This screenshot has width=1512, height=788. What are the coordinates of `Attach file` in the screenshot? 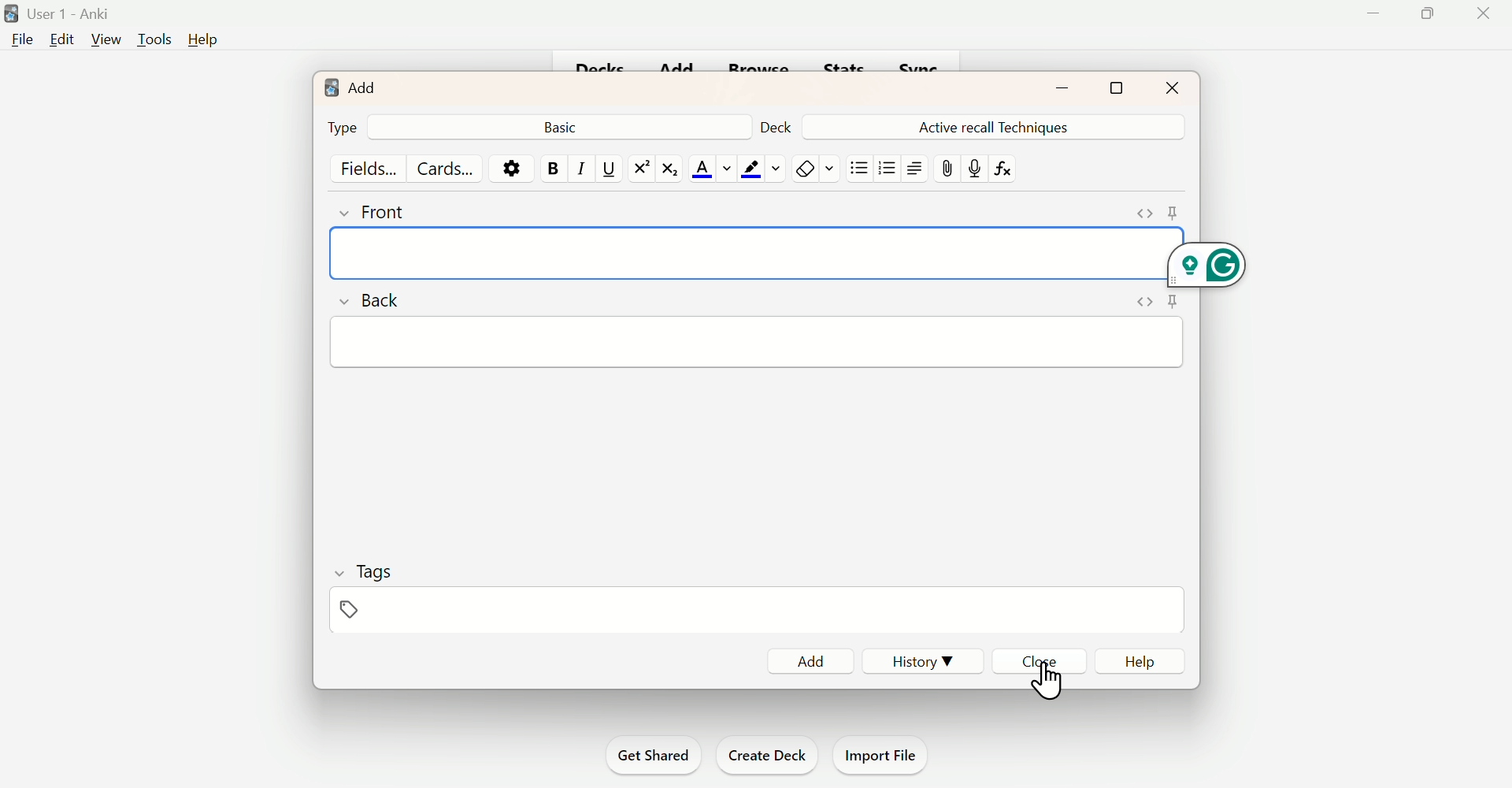 It's located at (949, 170).